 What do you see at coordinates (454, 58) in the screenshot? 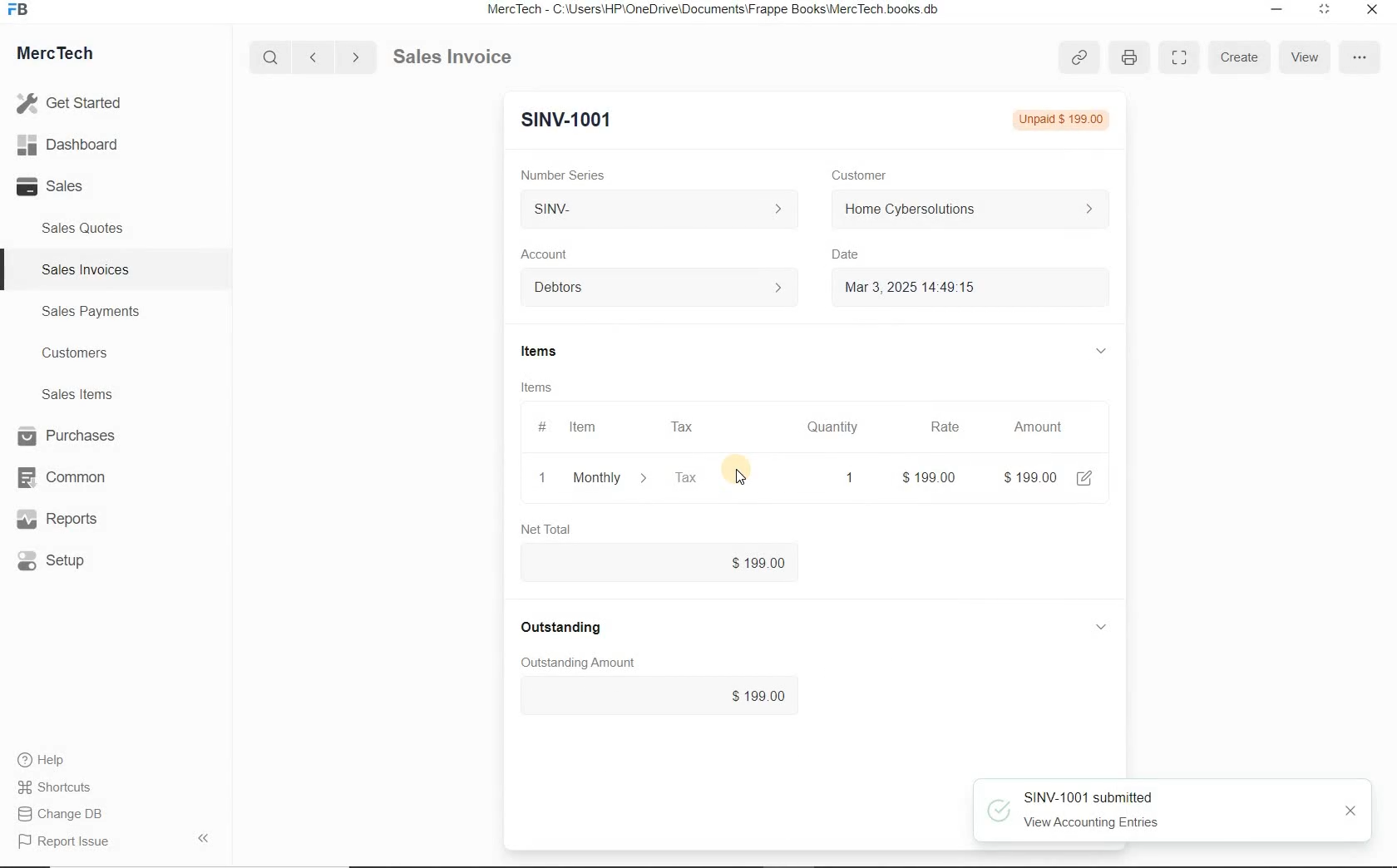
I see `Sales Invoice` at bounding box center [454, 58].